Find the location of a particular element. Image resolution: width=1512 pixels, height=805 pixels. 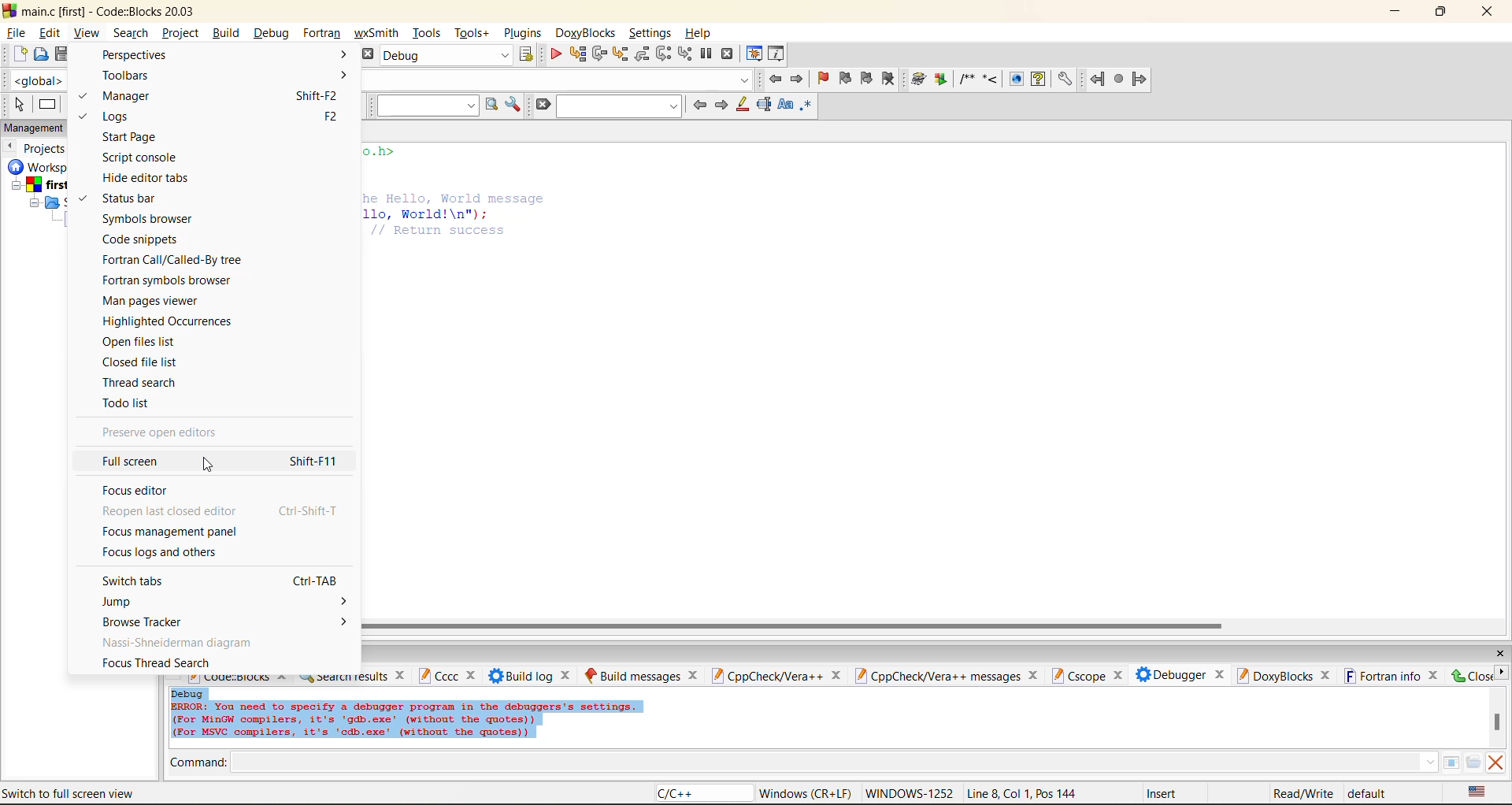

run search is located at coordinates (490, 106).